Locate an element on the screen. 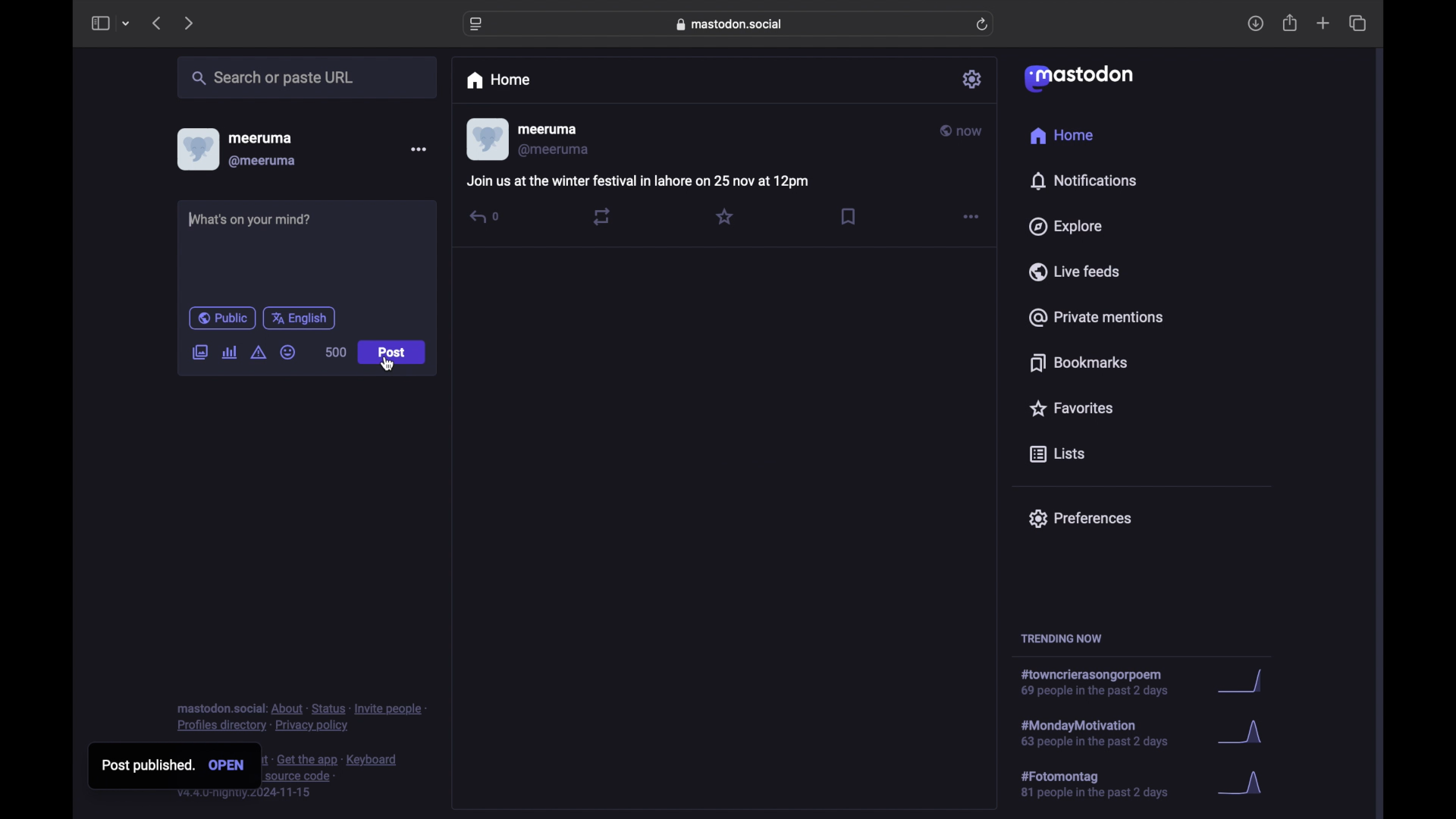 The height and width of the screenshot is (819, 1456). cursor is located at coordinates (390, 364).